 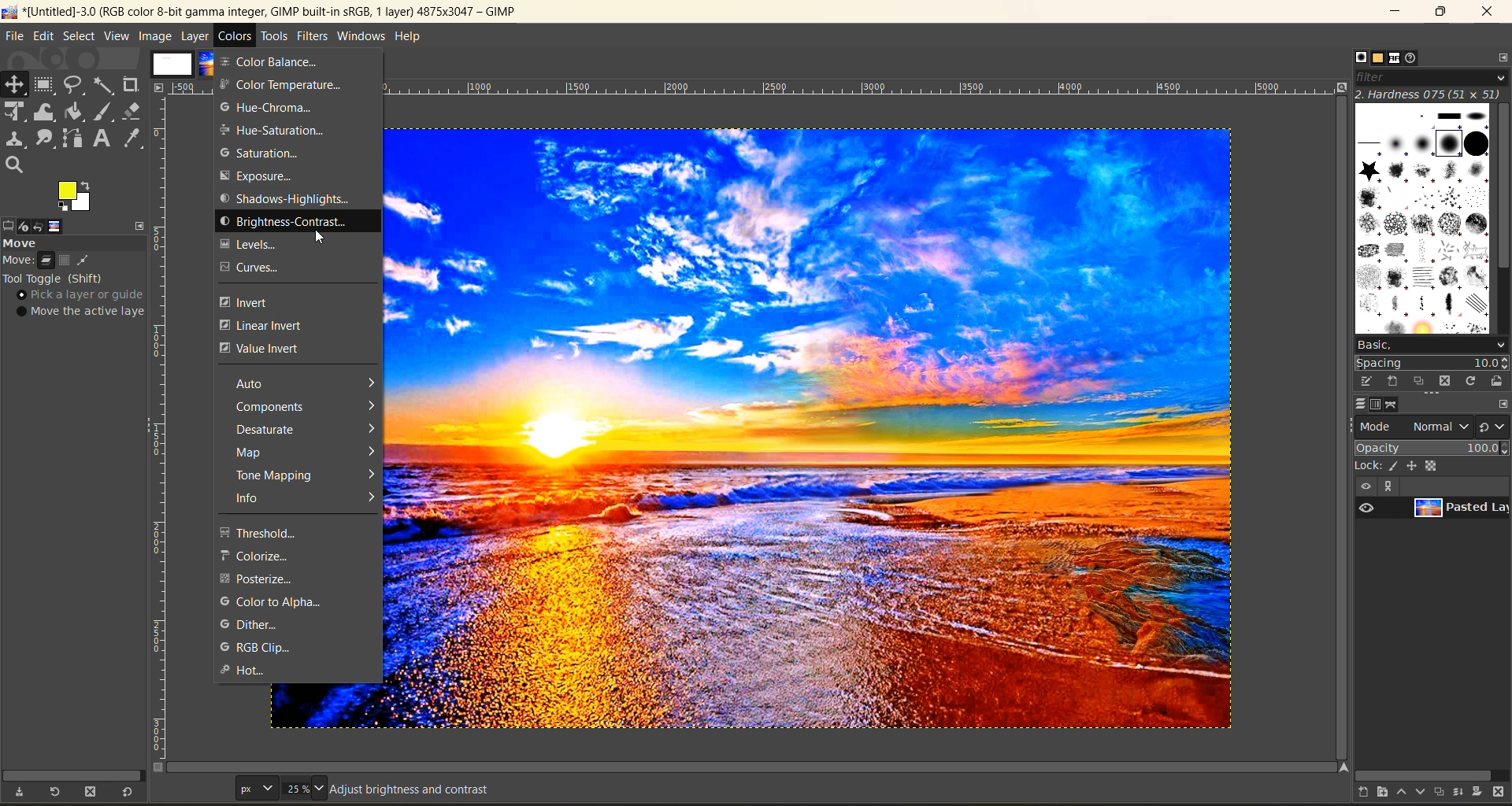 What do you see at coordinates (813, 423) in the screenshot?
I see `image` at bounding box center [813, 423].